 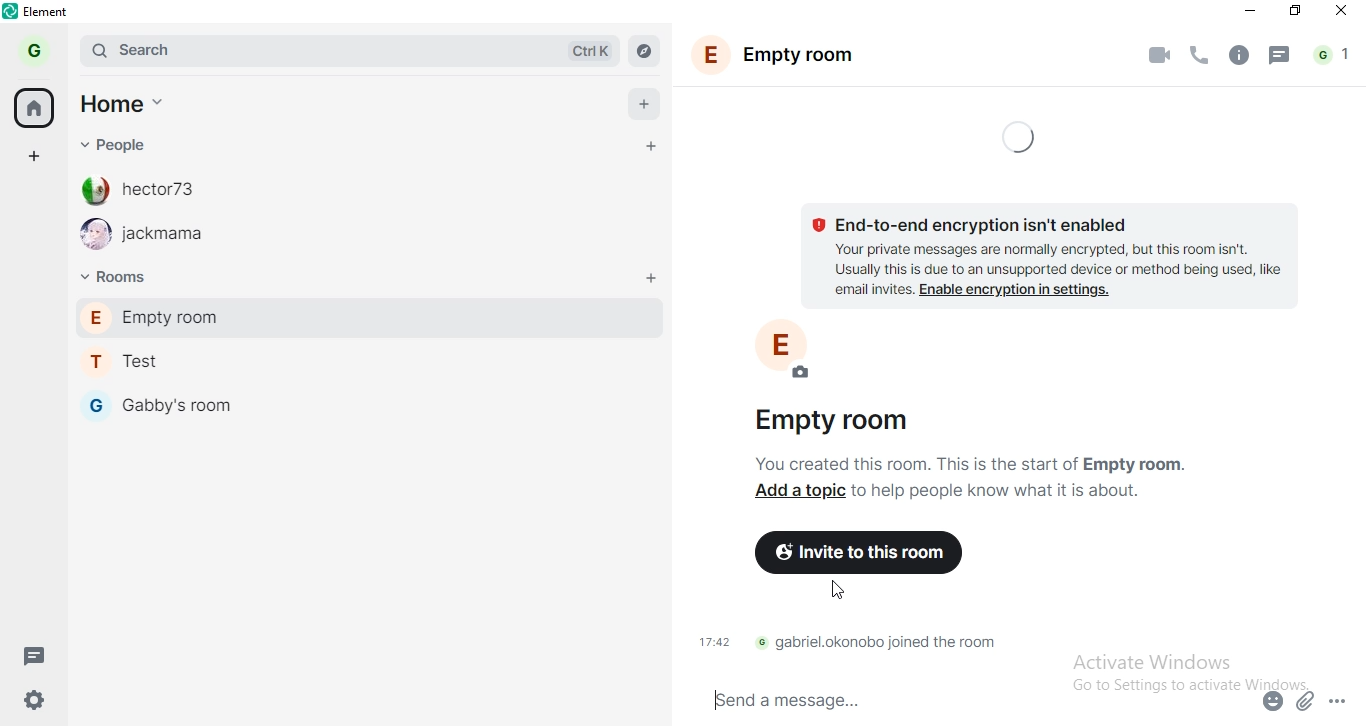 I want to click on attachment, so click(x=1306, y=700).